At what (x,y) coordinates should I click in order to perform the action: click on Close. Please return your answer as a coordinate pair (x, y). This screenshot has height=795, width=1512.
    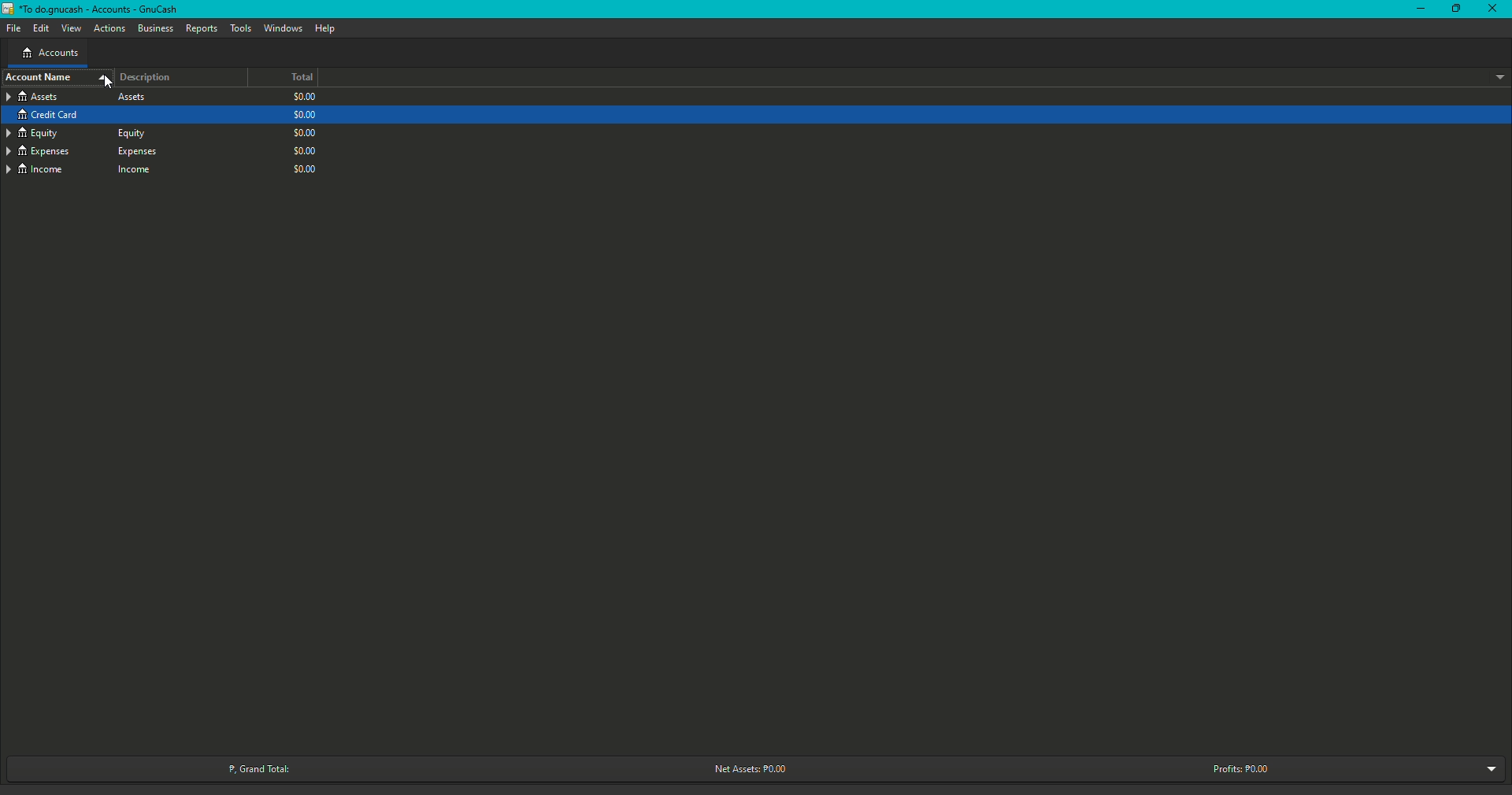
    Looking at the image, I should click on (1492, 9).